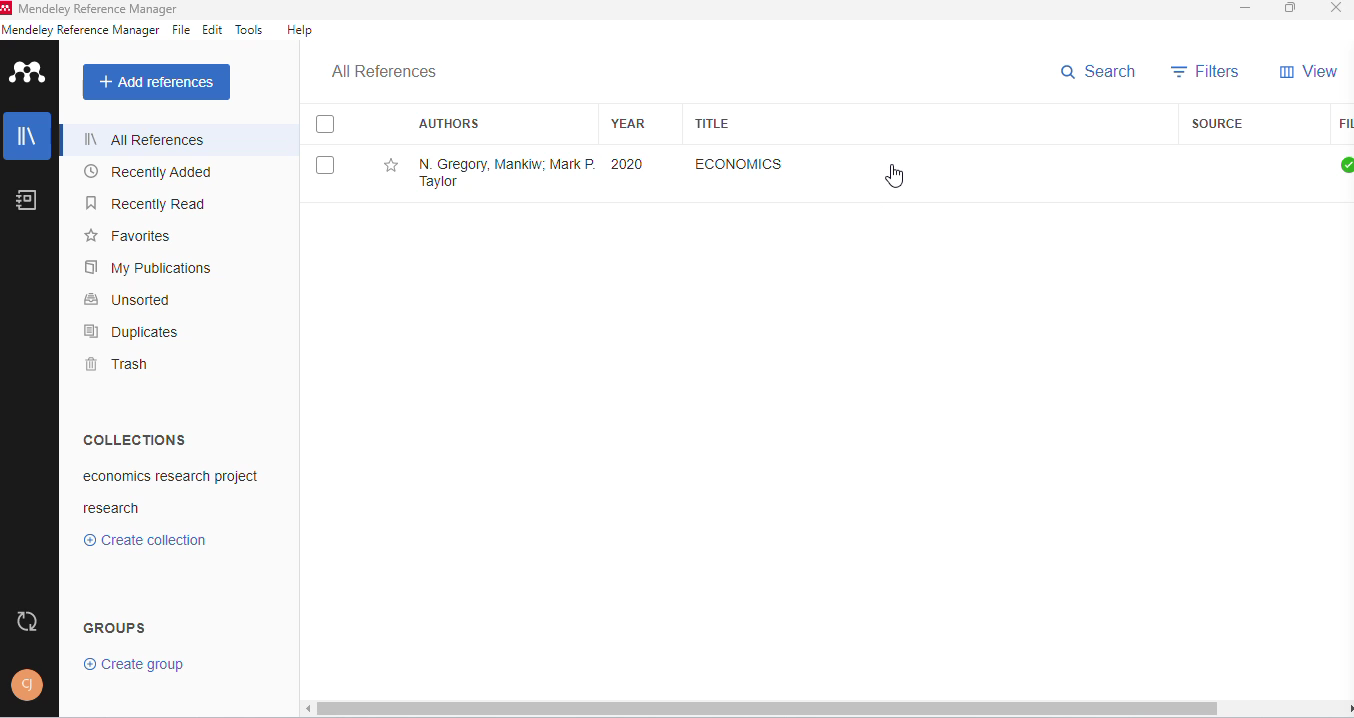 The width and height of the screenshot is (1354, 718). Describe the element at coordinates (894, 176) in the screenshot. I see `cursor` at that location.